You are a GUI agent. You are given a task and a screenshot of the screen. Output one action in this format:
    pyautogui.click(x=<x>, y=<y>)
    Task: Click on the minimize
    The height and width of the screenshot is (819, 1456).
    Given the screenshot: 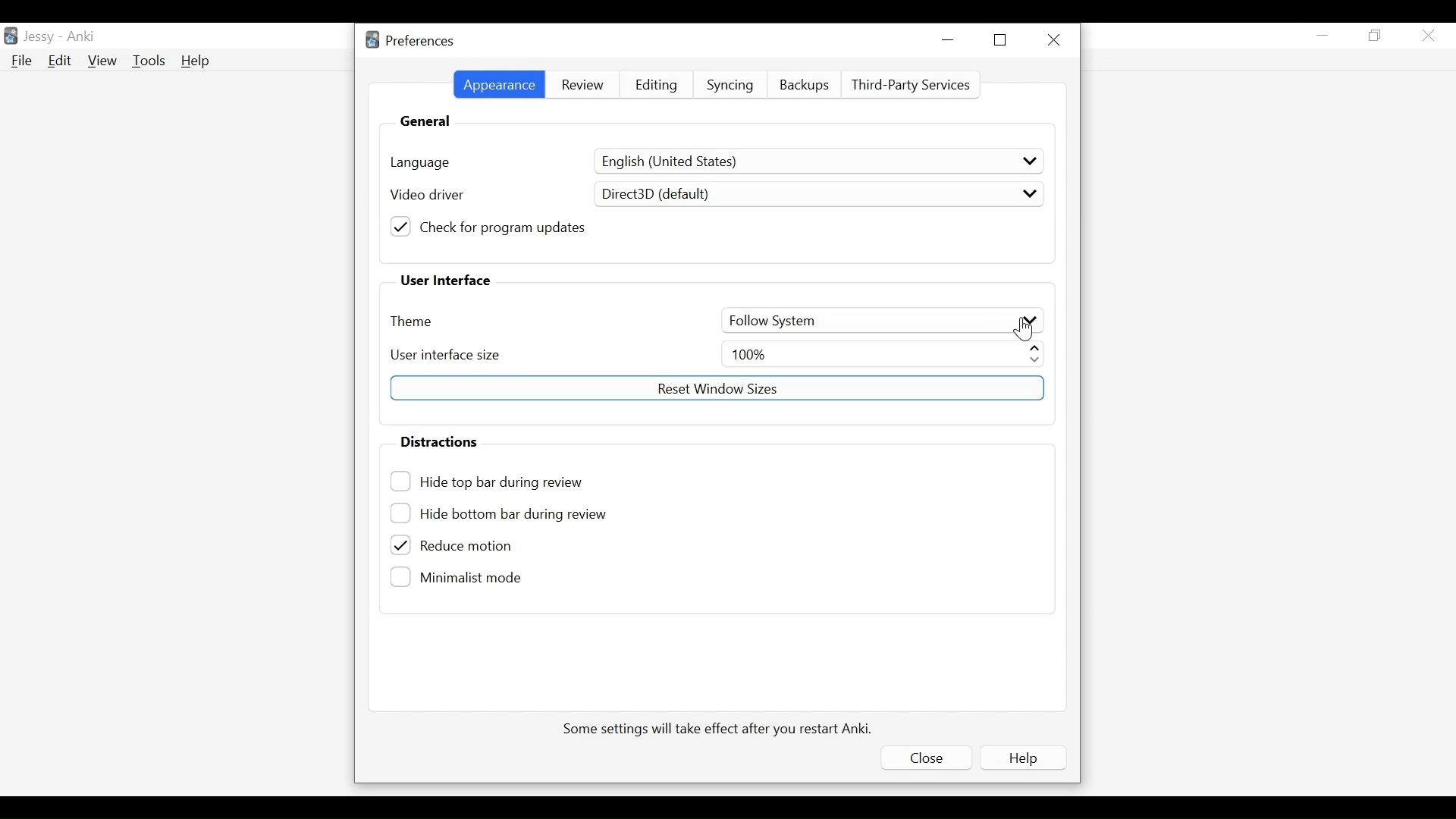 What is the action you would take?
    pyautogui.click(x=1323, y=35)
    